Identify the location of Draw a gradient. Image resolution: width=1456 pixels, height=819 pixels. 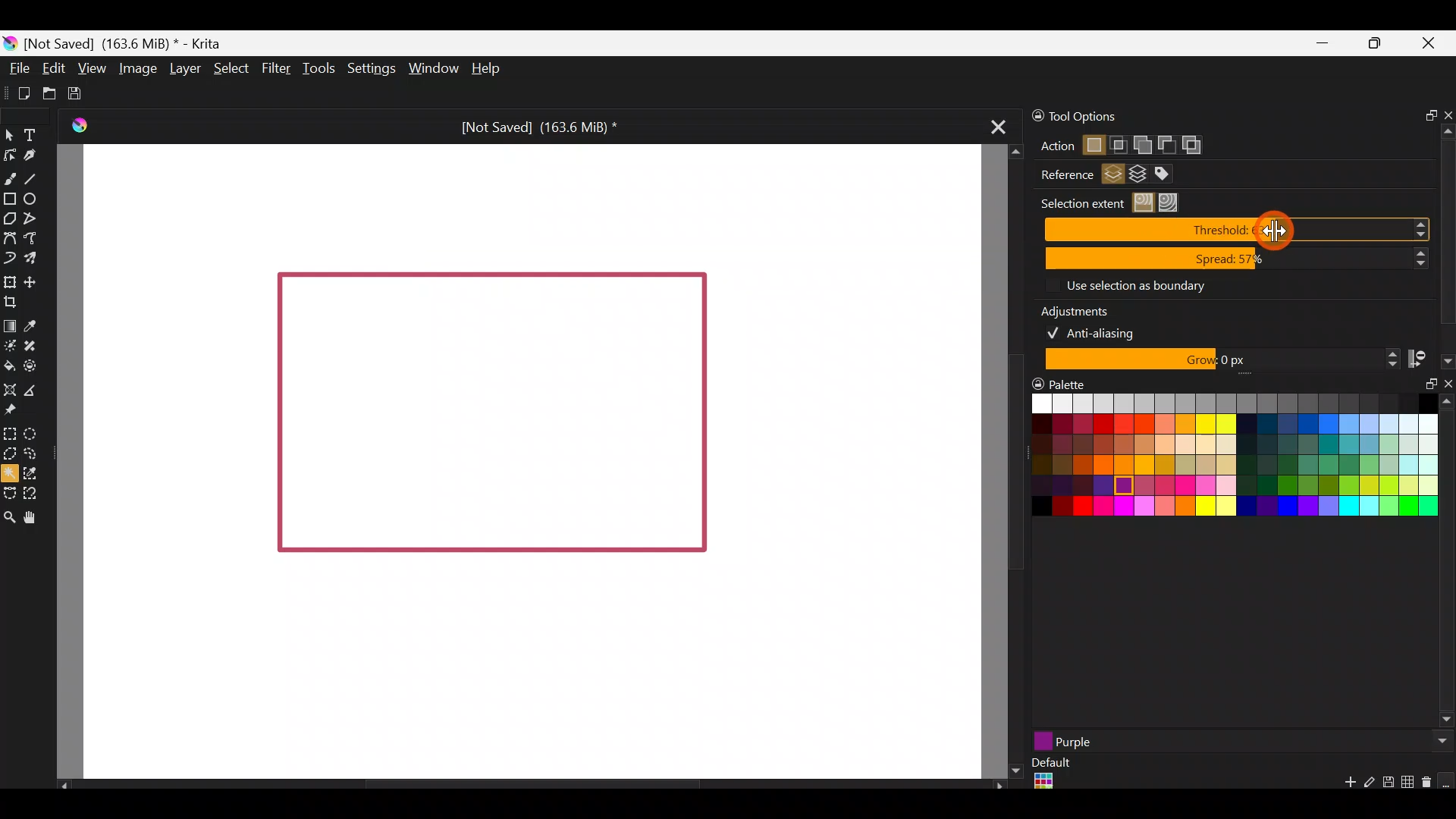
(10, 326).